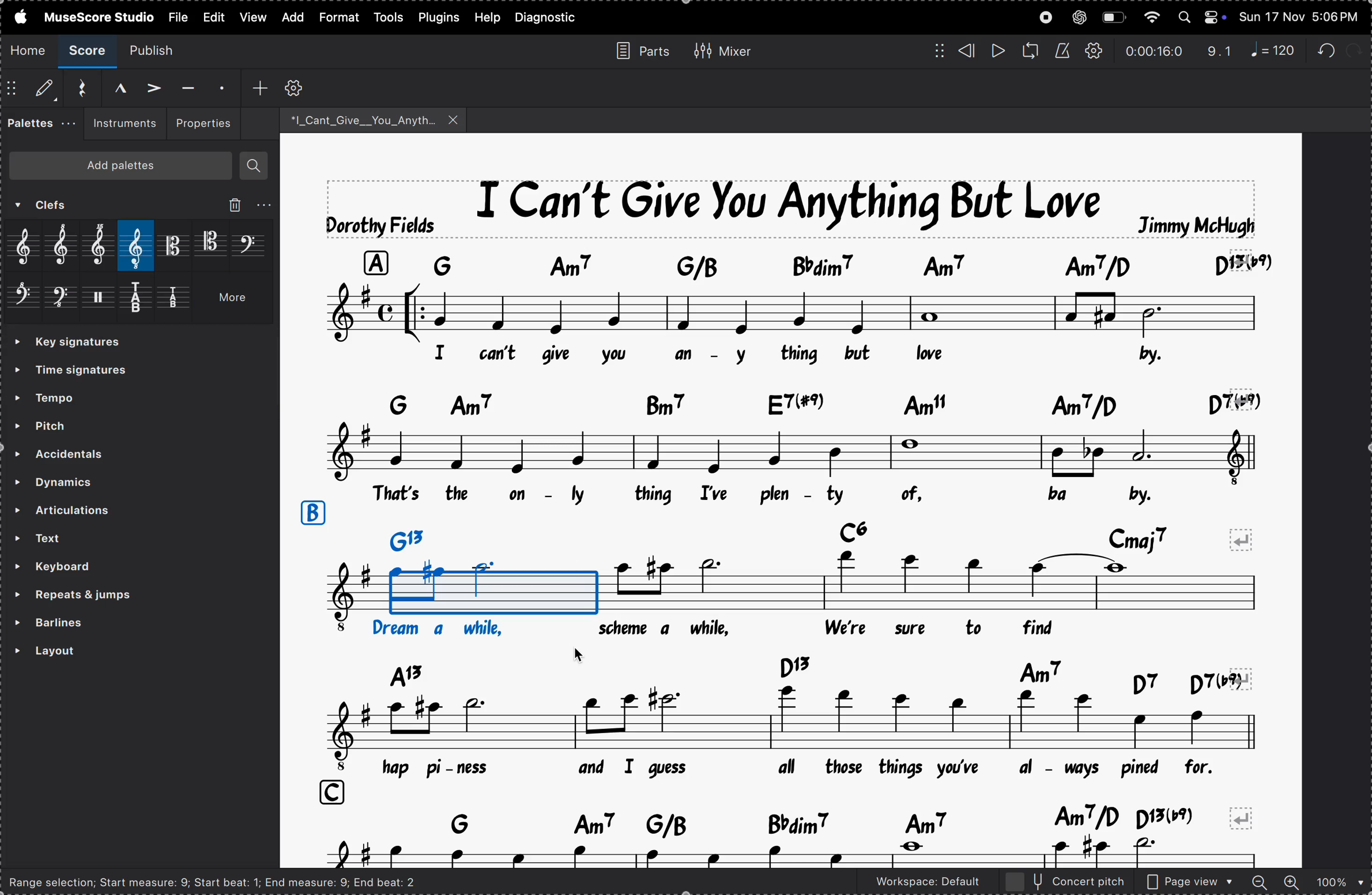  What do you see at coordinates (17, 16) in the screenshot?
I see `apple menu` at bounding box center [17, 16].